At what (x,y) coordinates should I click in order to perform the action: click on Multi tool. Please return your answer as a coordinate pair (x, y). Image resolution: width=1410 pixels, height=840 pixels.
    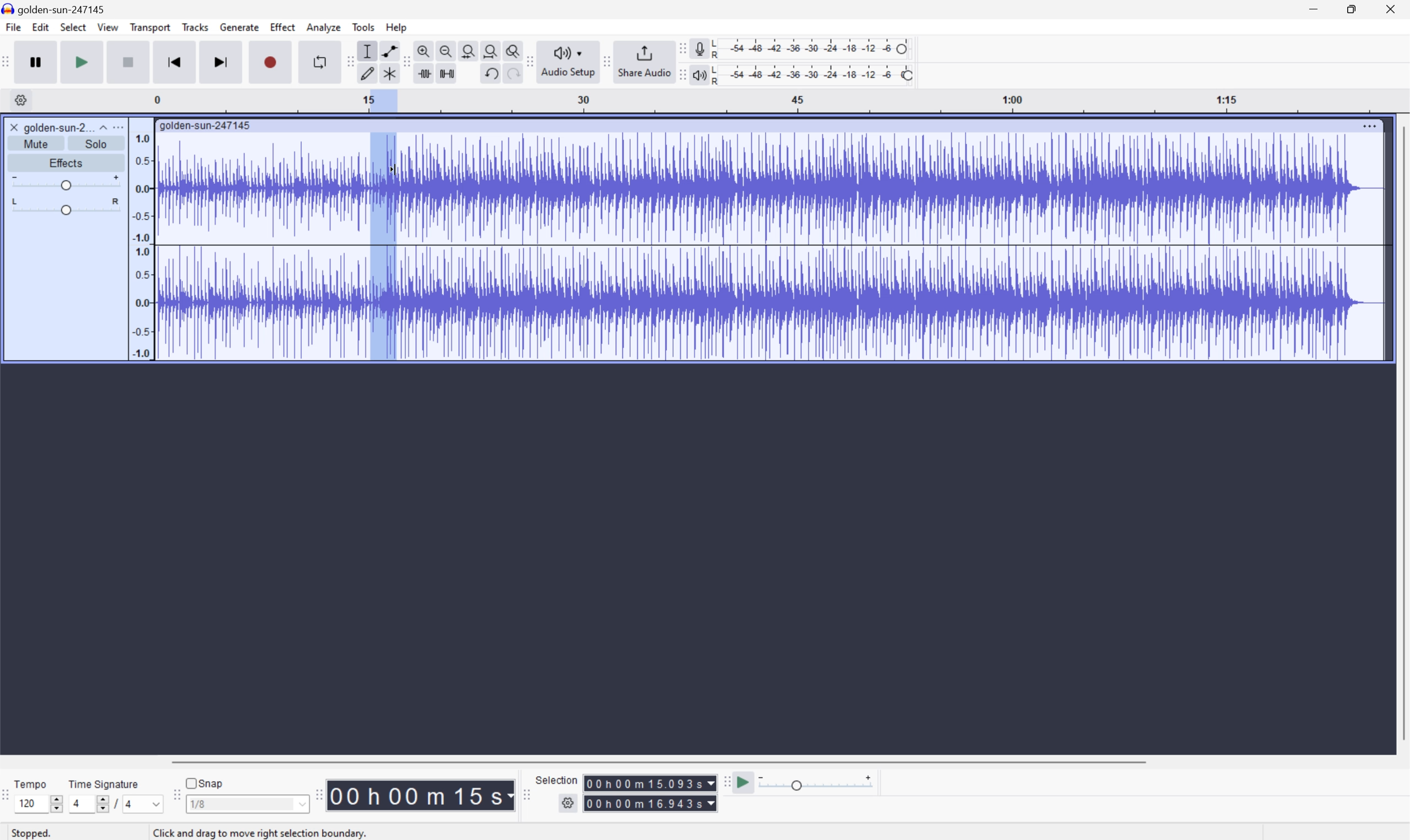
    Looking at the image, I should click on (391, 72).